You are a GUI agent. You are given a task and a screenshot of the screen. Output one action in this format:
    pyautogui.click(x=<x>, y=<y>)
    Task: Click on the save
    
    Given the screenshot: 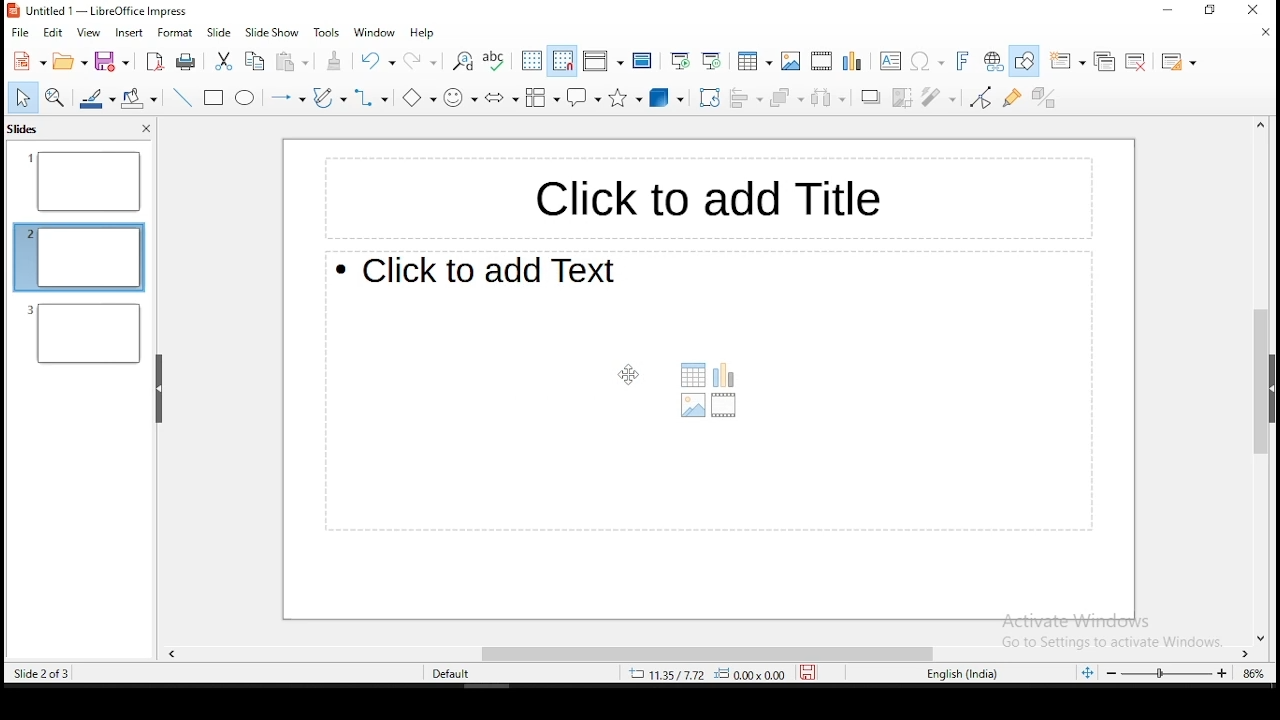 What is the action you would take?
    pyautogui.click(x=112, y=60)
    